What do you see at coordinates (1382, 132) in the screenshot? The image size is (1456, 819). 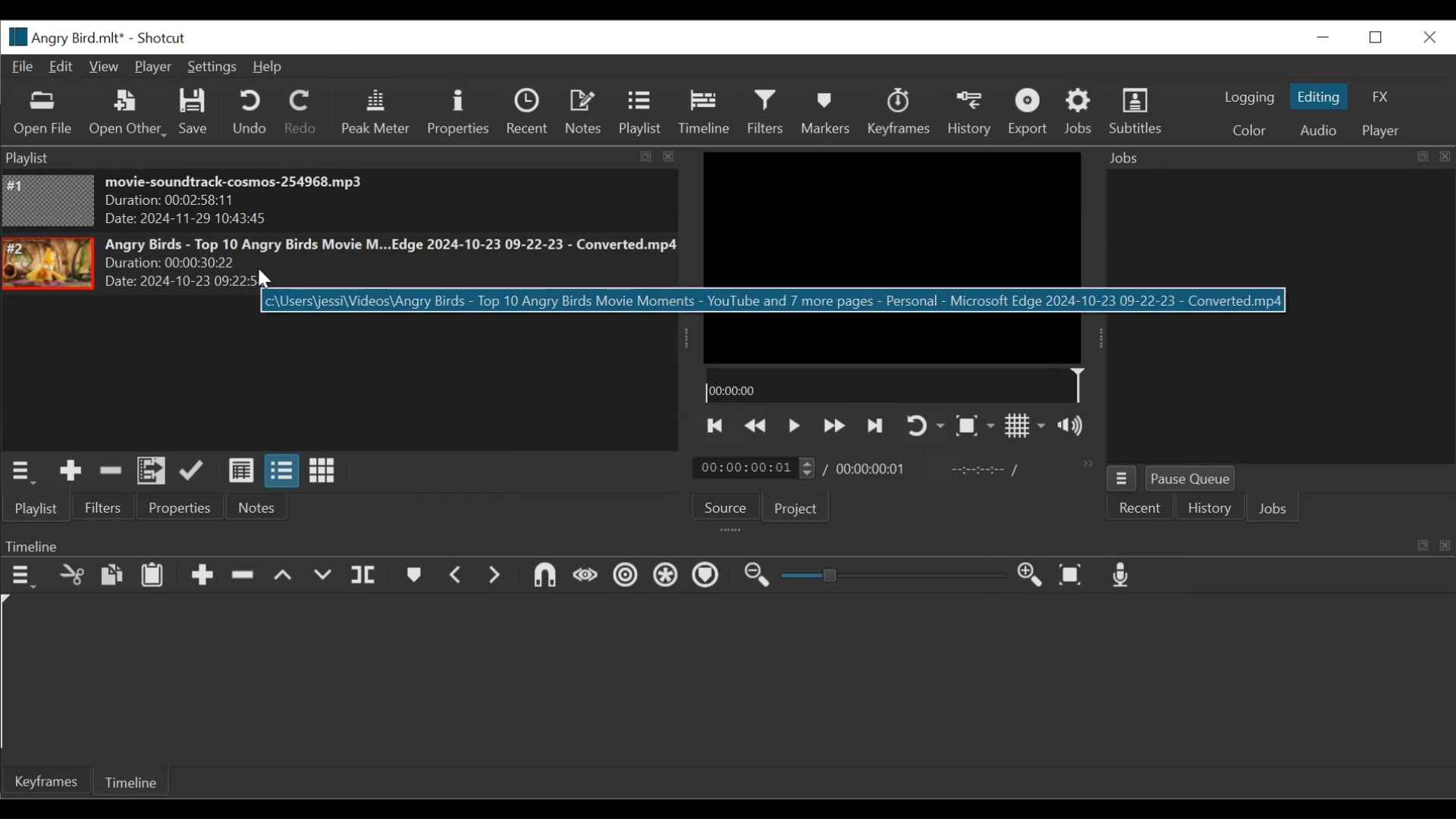 I see `Player` at bounding box center [1382, 132].